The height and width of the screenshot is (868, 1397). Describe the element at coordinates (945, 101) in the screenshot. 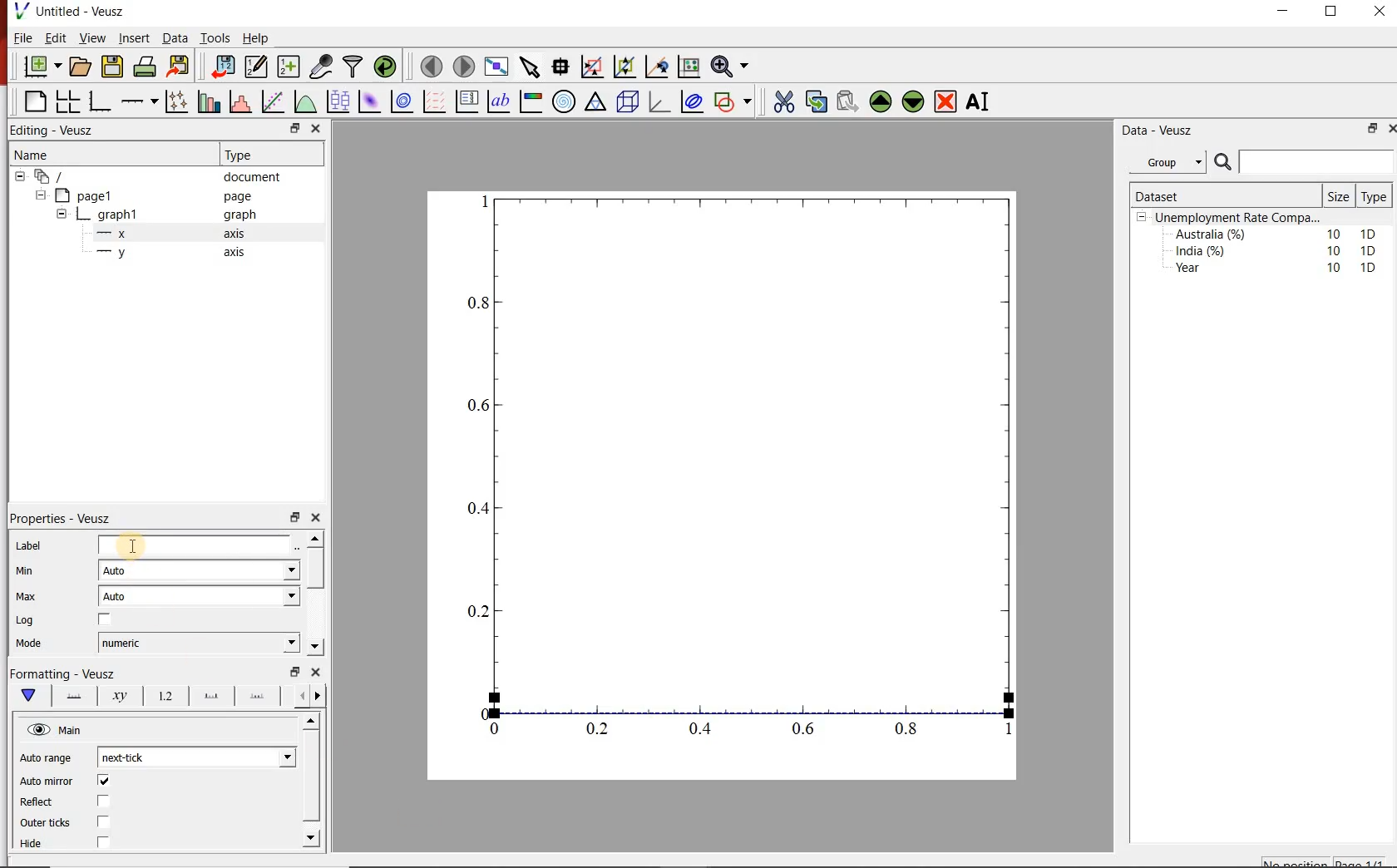

I see `remove the widgets` at that location.